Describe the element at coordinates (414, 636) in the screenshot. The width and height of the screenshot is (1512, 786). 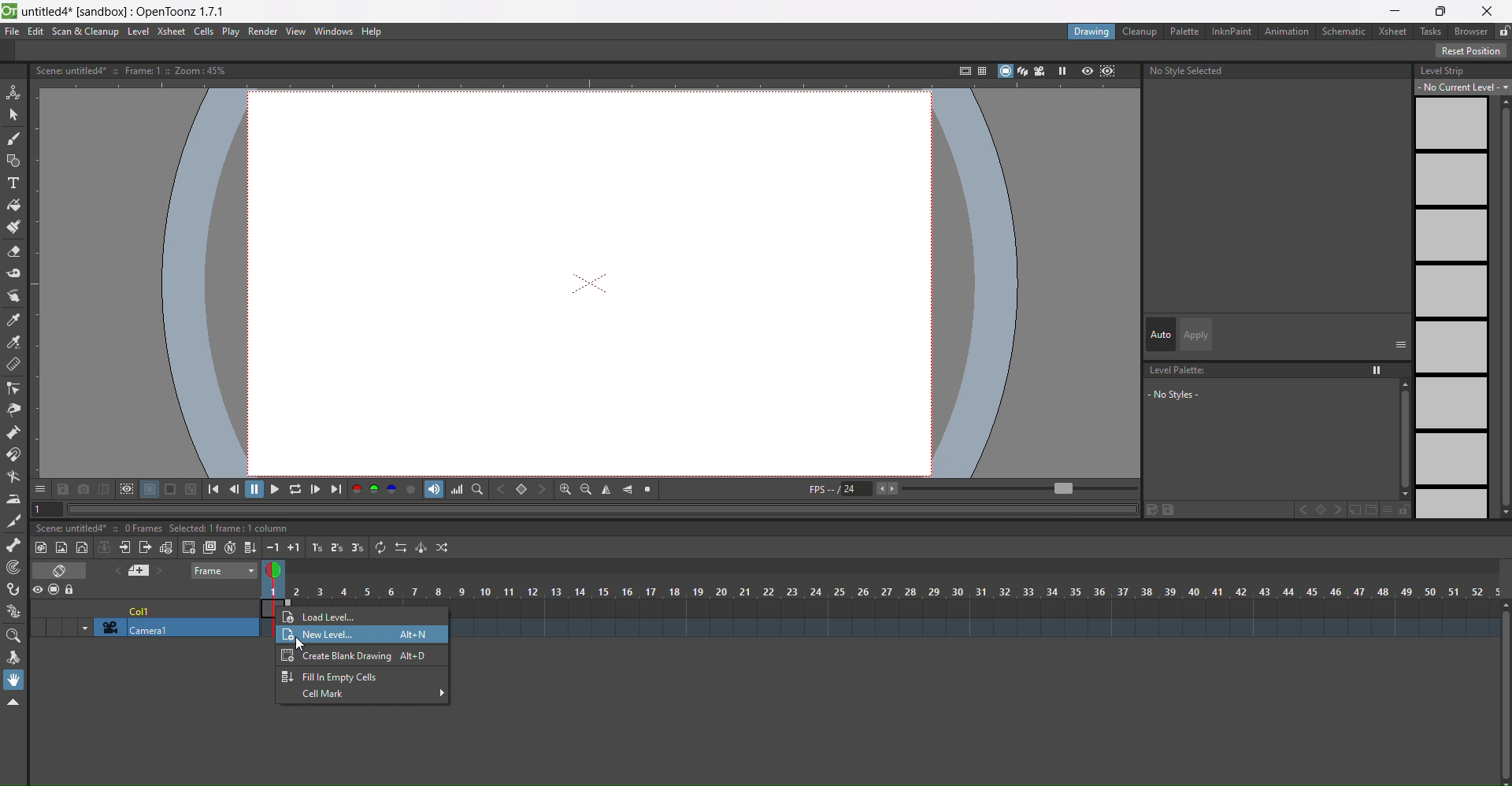
I see `Alt+N` at that location.